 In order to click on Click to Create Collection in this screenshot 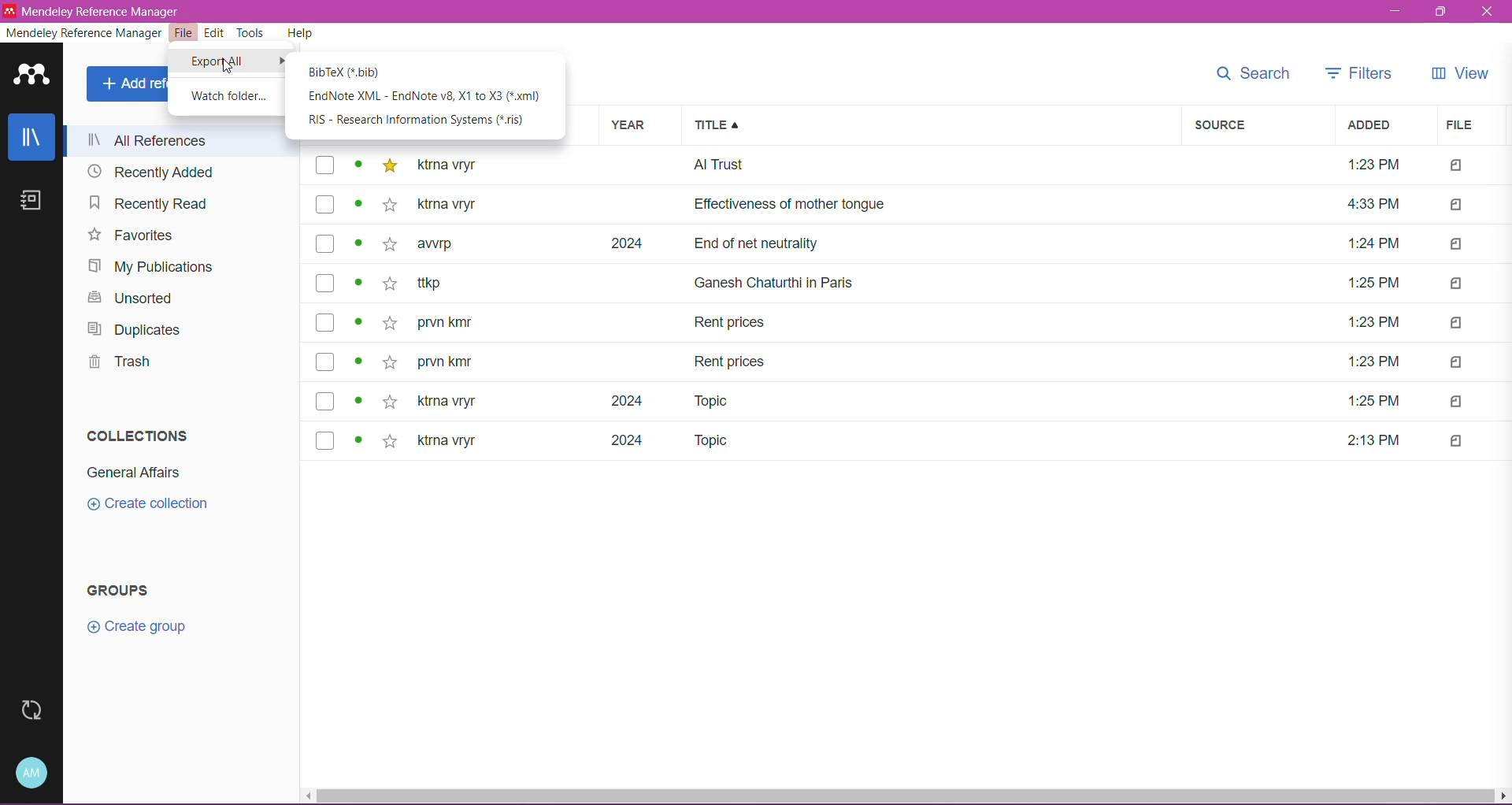, I will do `click(149, 506)`.